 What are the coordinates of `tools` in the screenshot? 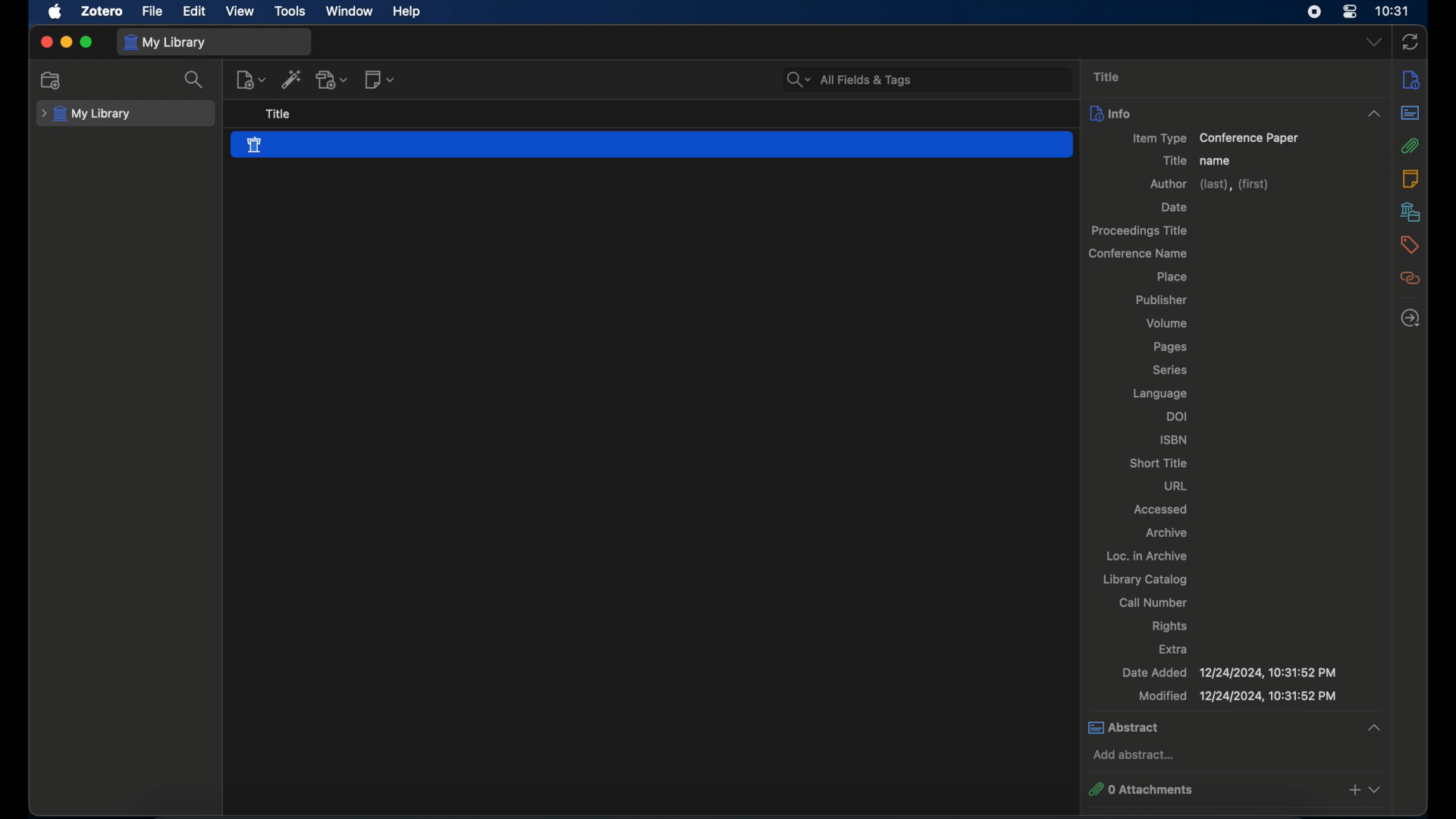 It's located at (290, 11).